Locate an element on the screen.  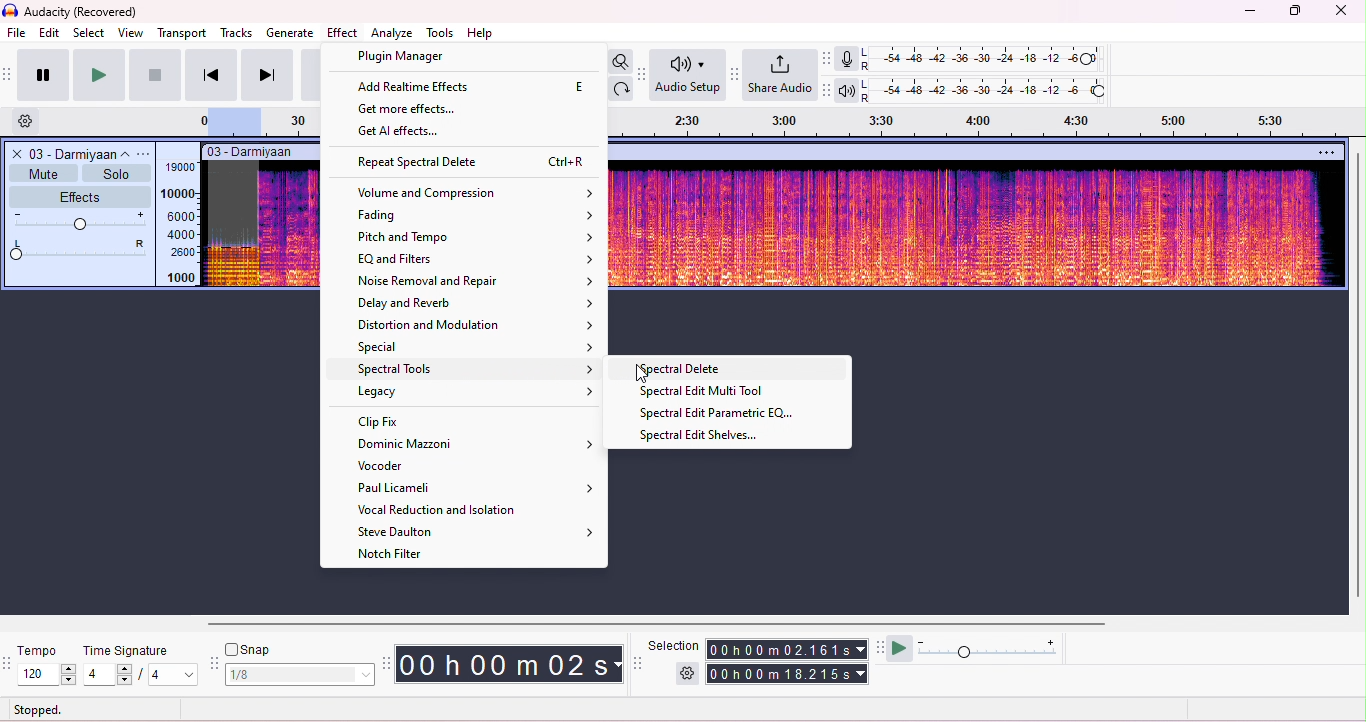
track title is located at coordinates (260, 151).